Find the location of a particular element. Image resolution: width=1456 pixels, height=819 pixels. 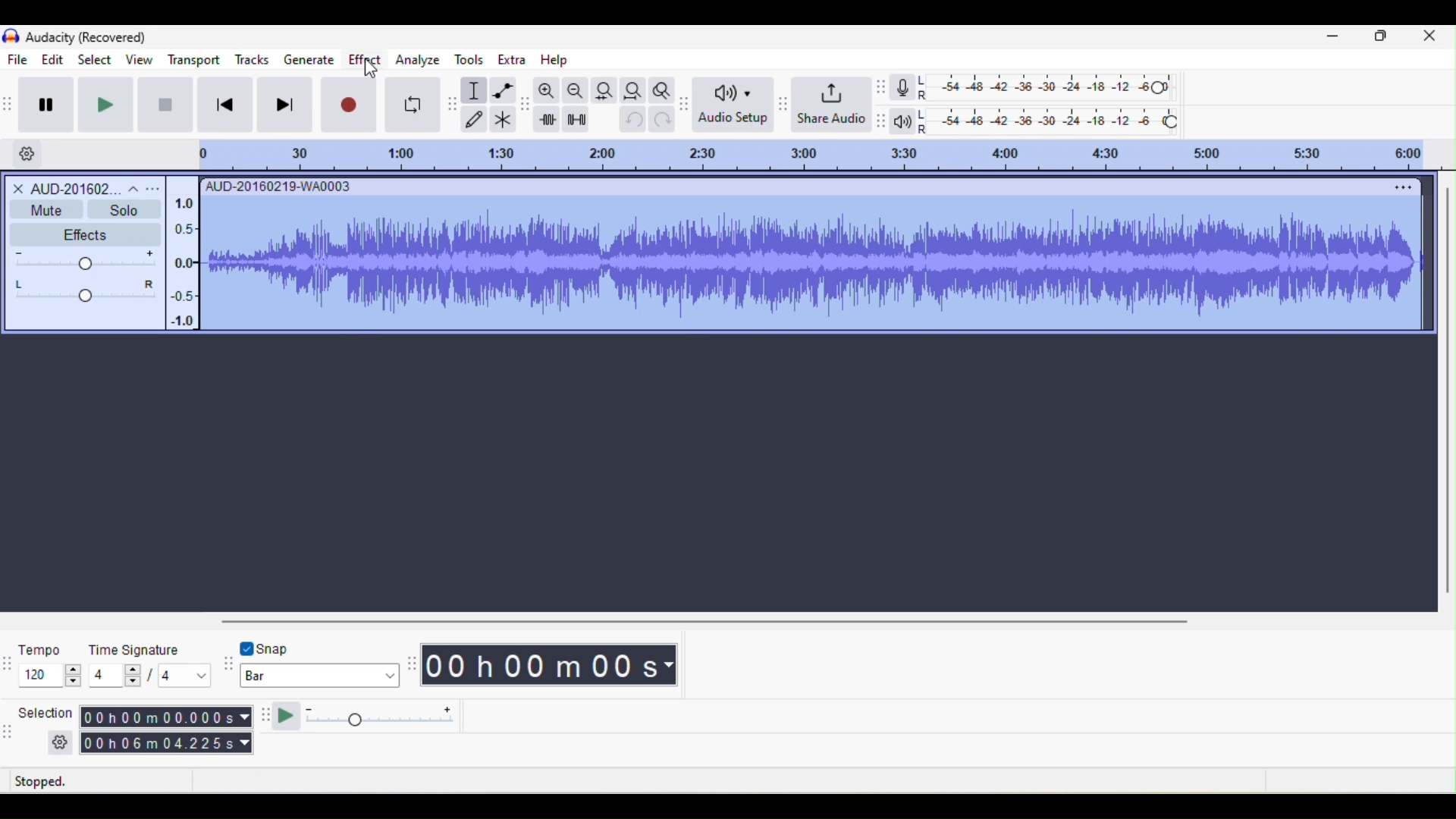

time signature is located at coordinates (151, 663).